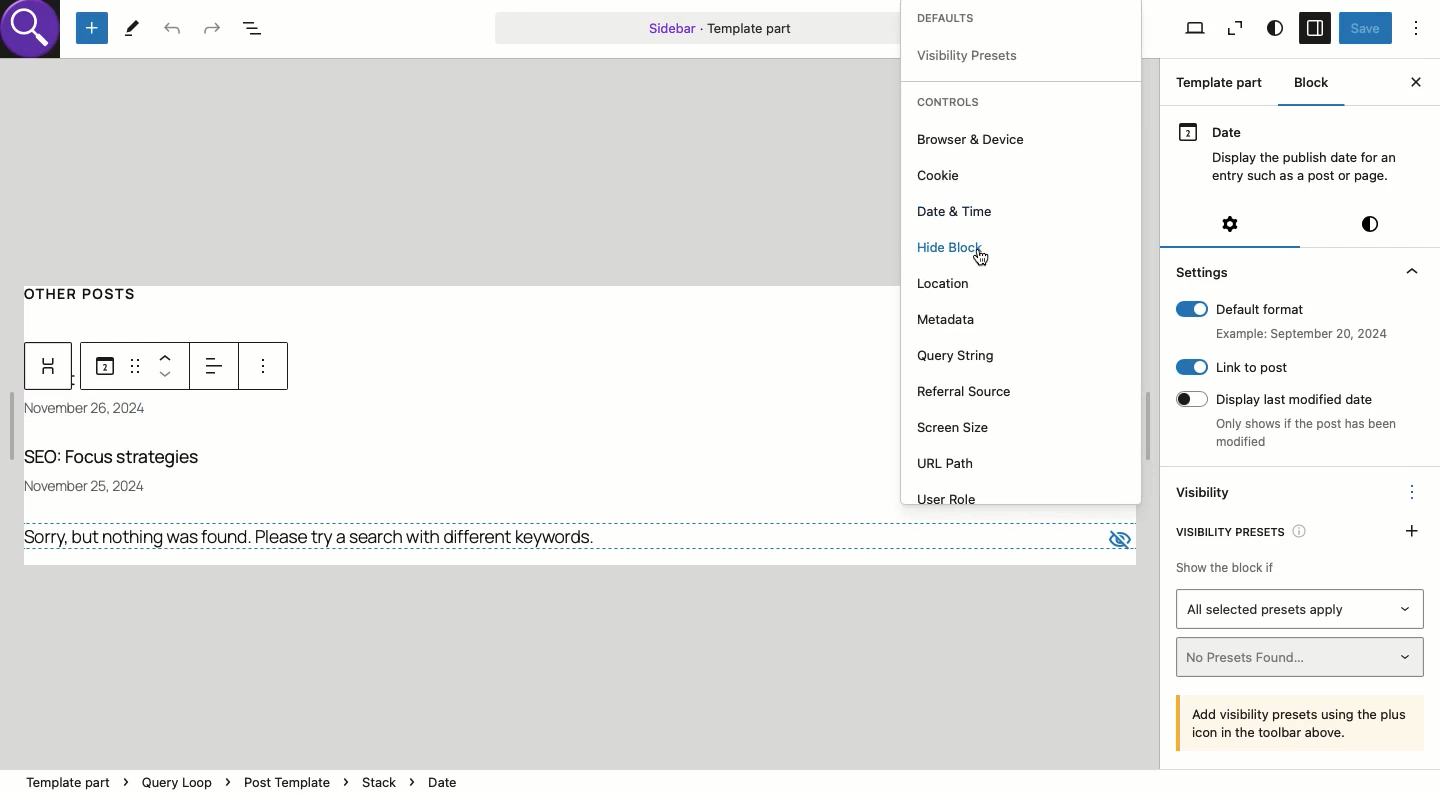 Image resolution: width=1440 pixels, height=794 pixels. Describe the element at coordinates (1285, 397) in the screenshot. I see `Display last modified date` at that location.